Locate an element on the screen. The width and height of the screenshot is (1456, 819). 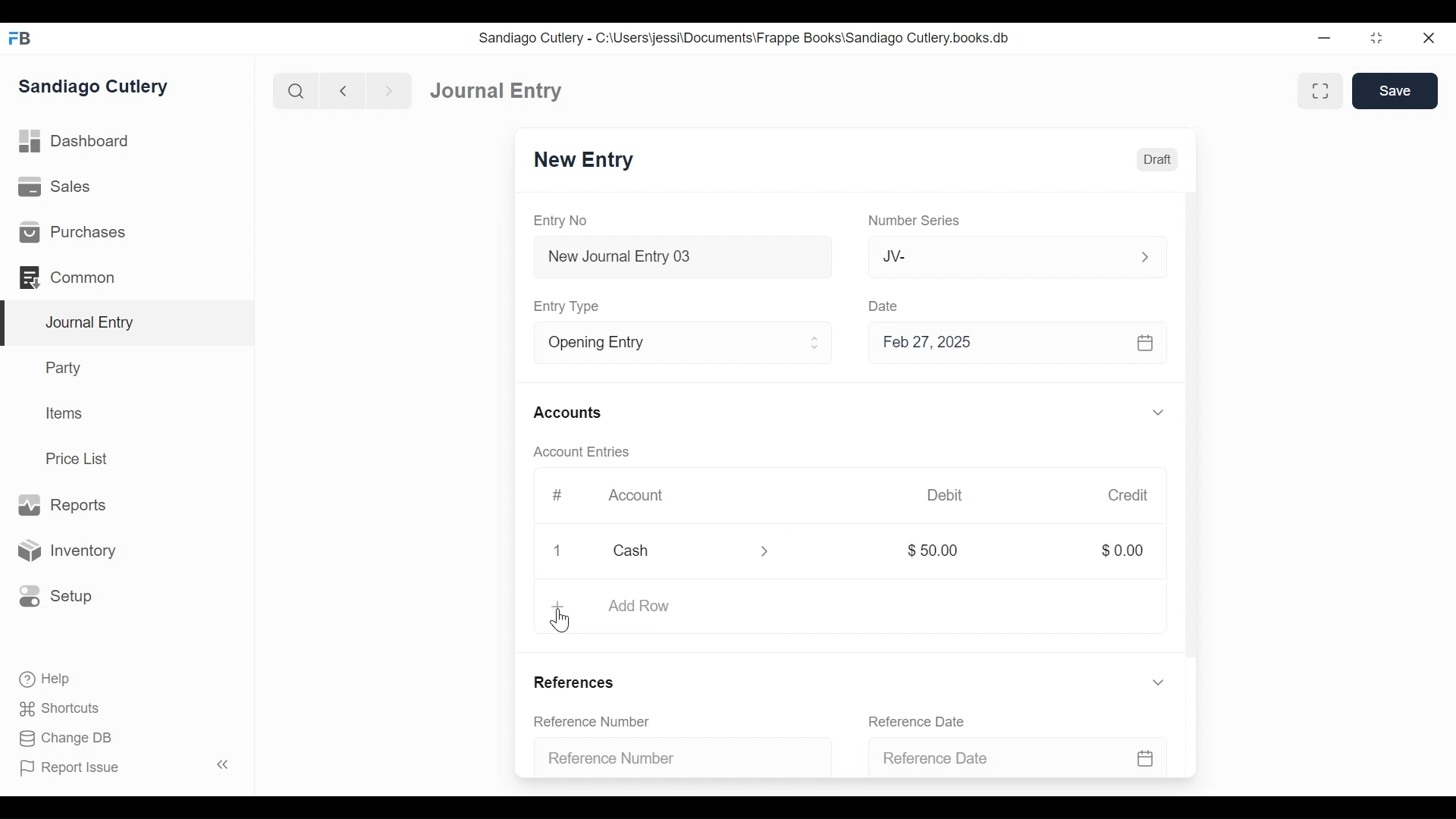
Setup is located at coordinates (56, 597).